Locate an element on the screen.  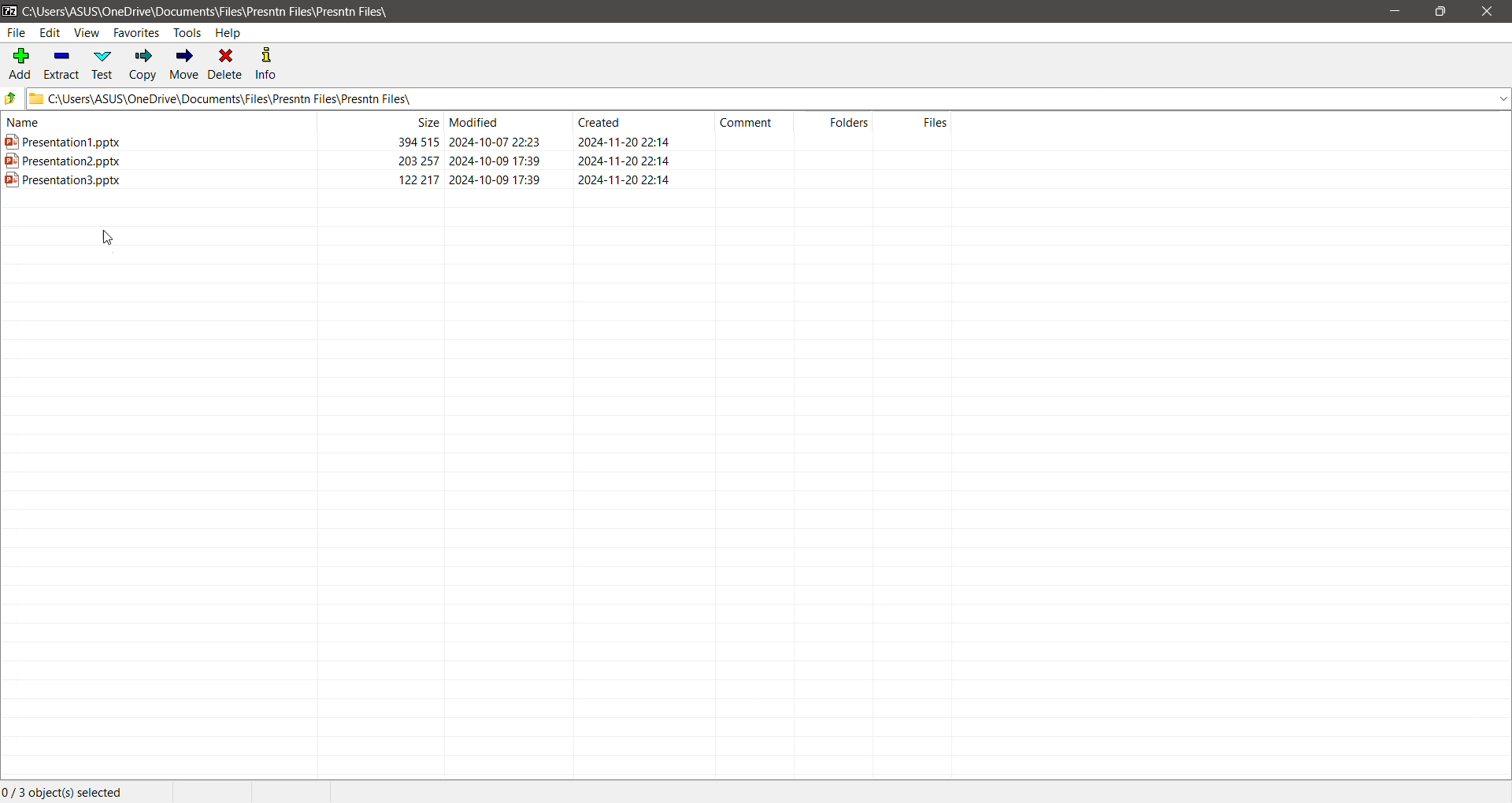
Current selection status is located at coordinates (72, 791).